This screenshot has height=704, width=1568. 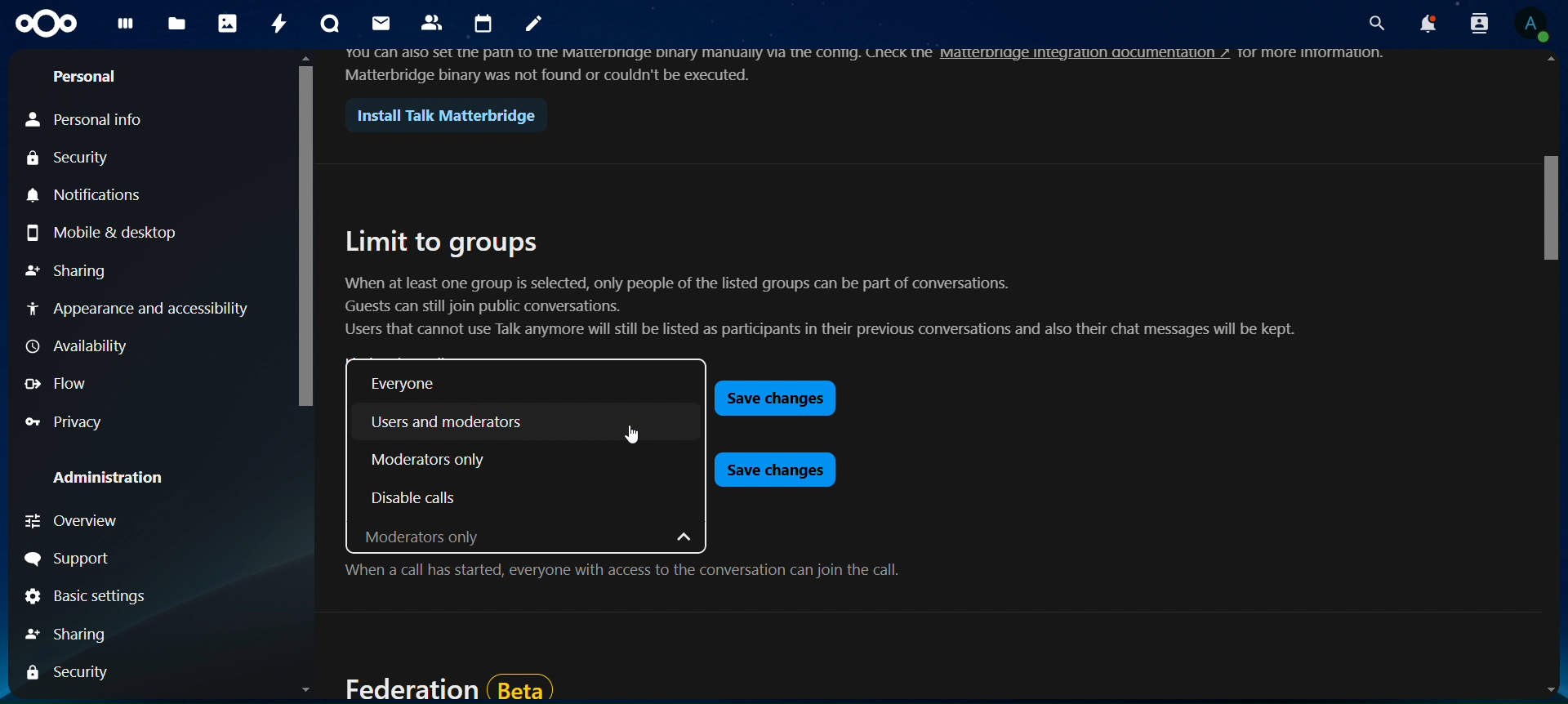 What do you see at coordinates (128, 28) in the screenshot?
I see `dashboard` at bounding box center [128, 28].